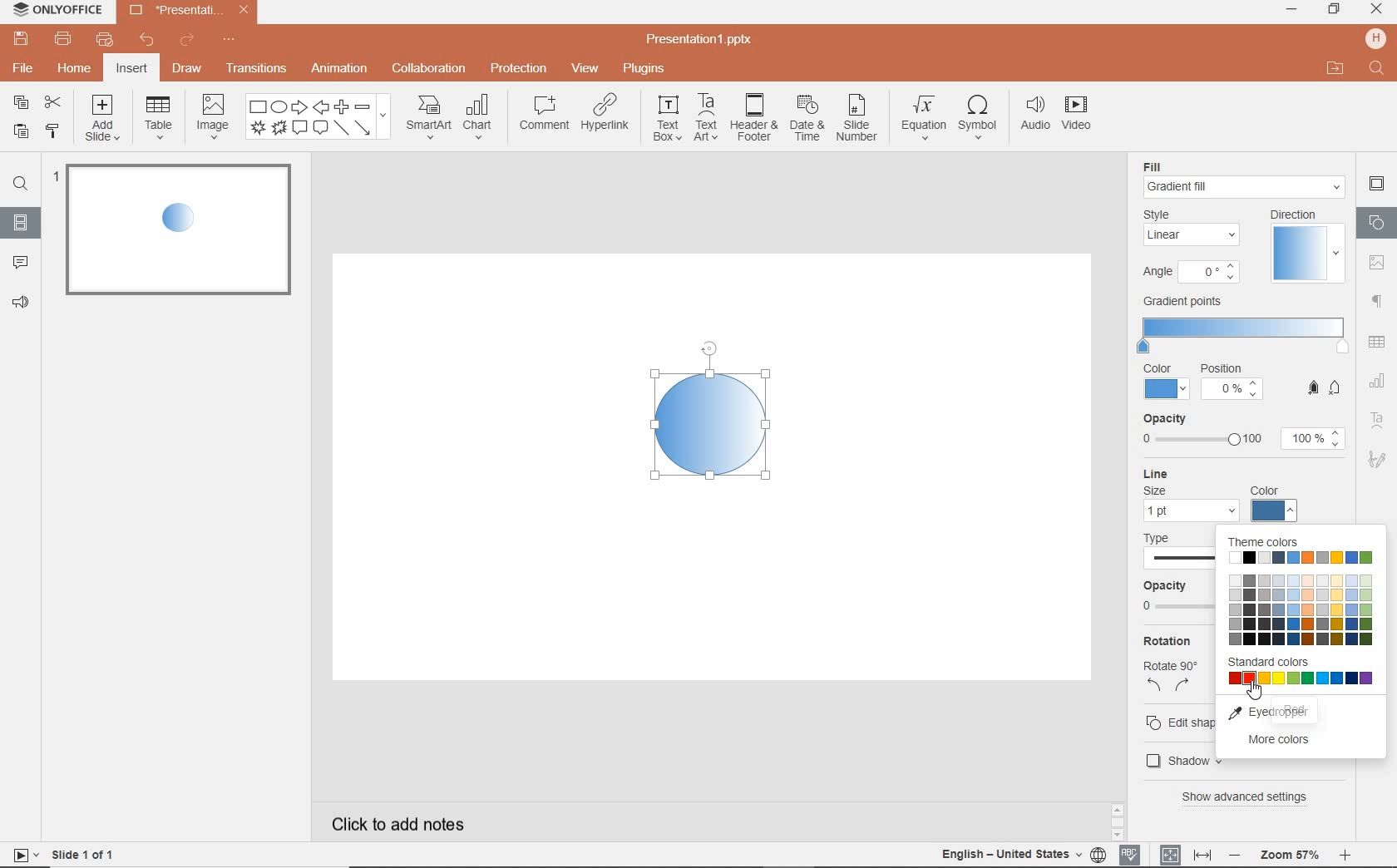 The width and height of the screenshot is (1397, 868). I want to click on paragraph settings, so click(1378, 299).